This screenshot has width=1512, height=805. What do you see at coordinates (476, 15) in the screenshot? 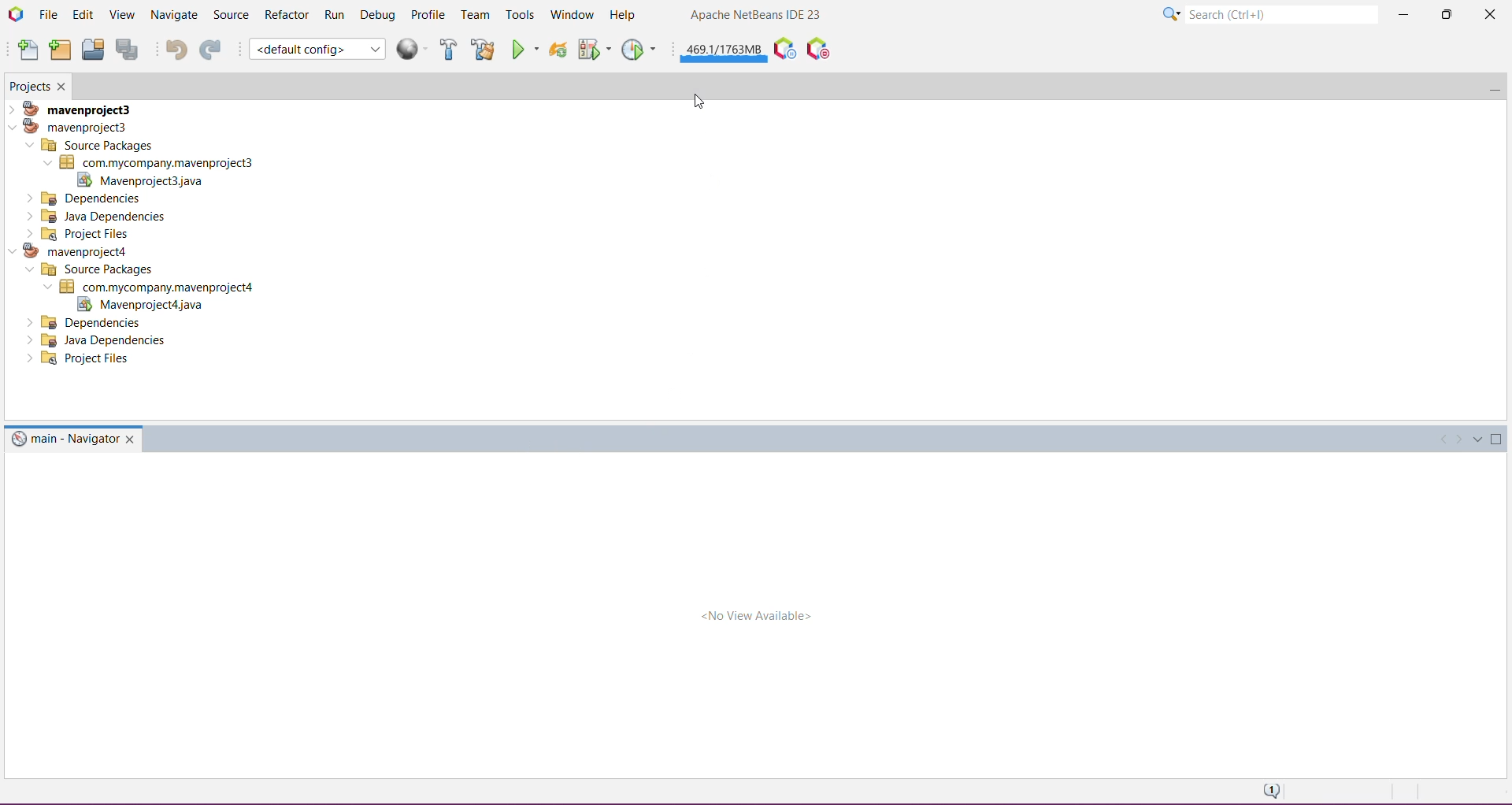
I see `Teams` at bounding box center [476, 15].